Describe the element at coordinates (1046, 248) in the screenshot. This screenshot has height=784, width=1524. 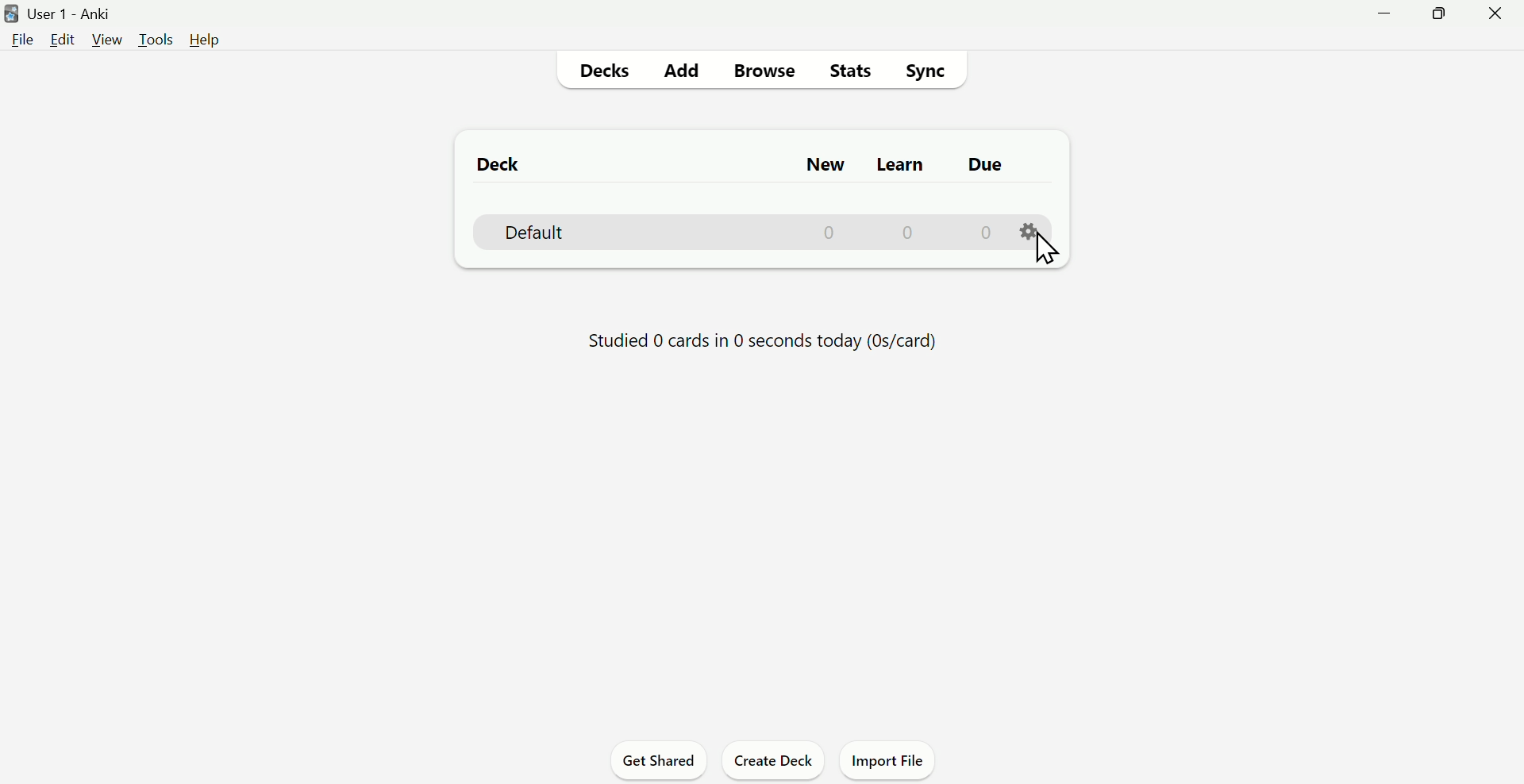
I see `Cursor` at that location.